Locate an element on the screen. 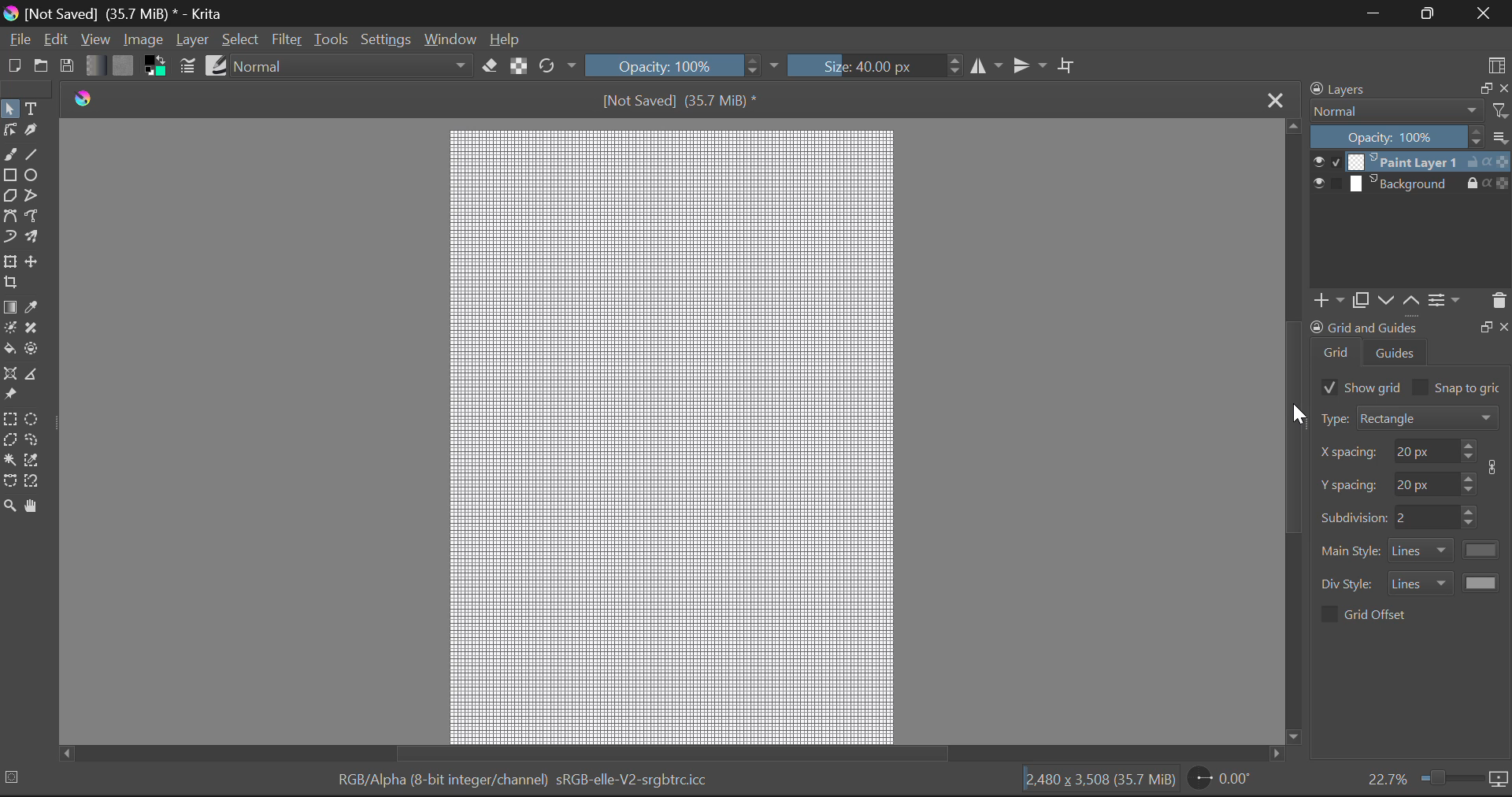  Grid for Pixel Art Generated is located at coordinates (673, 434).